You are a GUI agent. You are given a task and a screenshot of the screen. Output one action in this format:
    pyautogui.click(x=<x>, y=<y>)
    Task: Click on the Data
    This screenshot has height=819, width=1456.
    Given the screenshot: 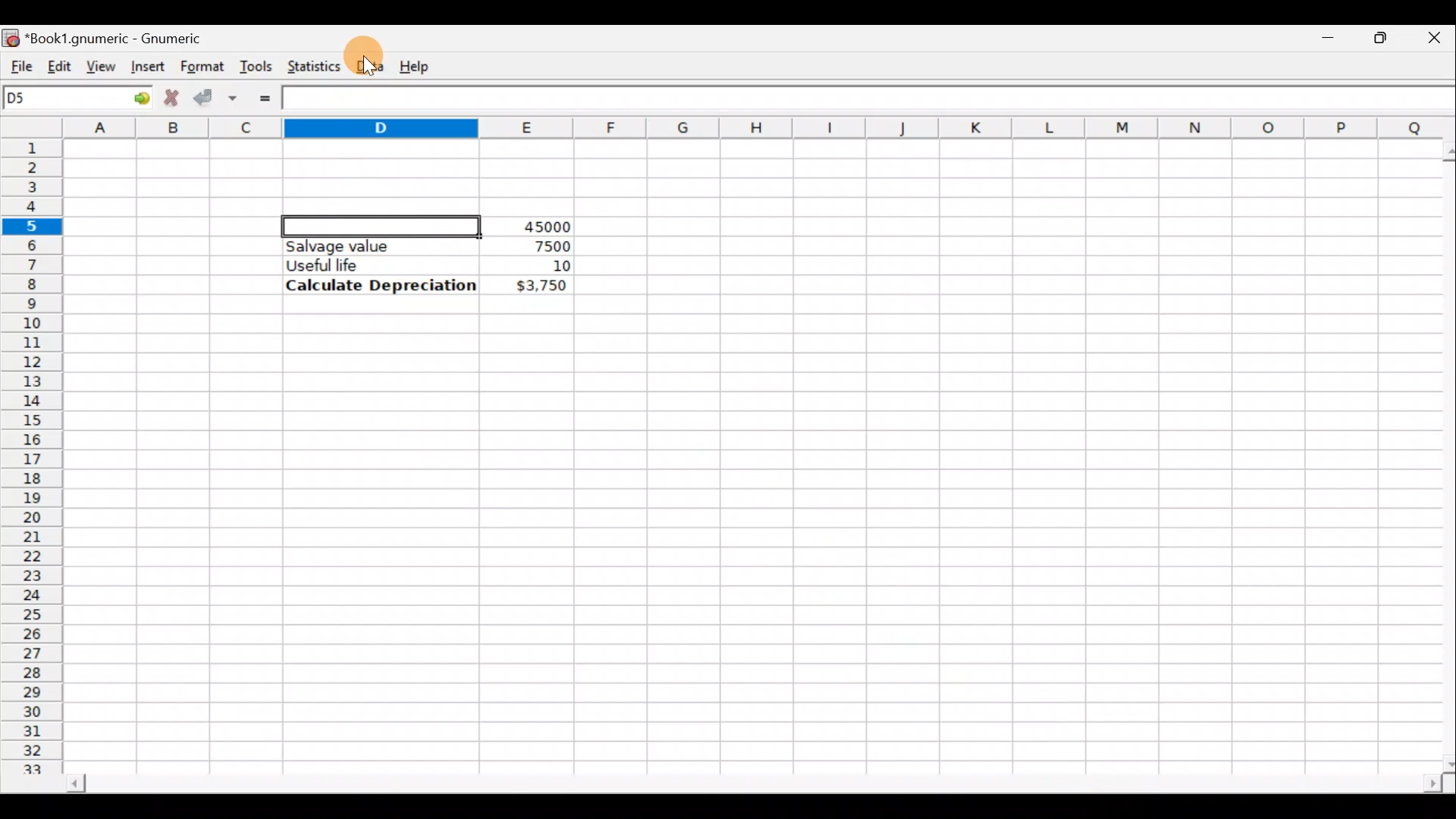 What is the action you would take?
    pyautogui.click(x=369, y=63)
    